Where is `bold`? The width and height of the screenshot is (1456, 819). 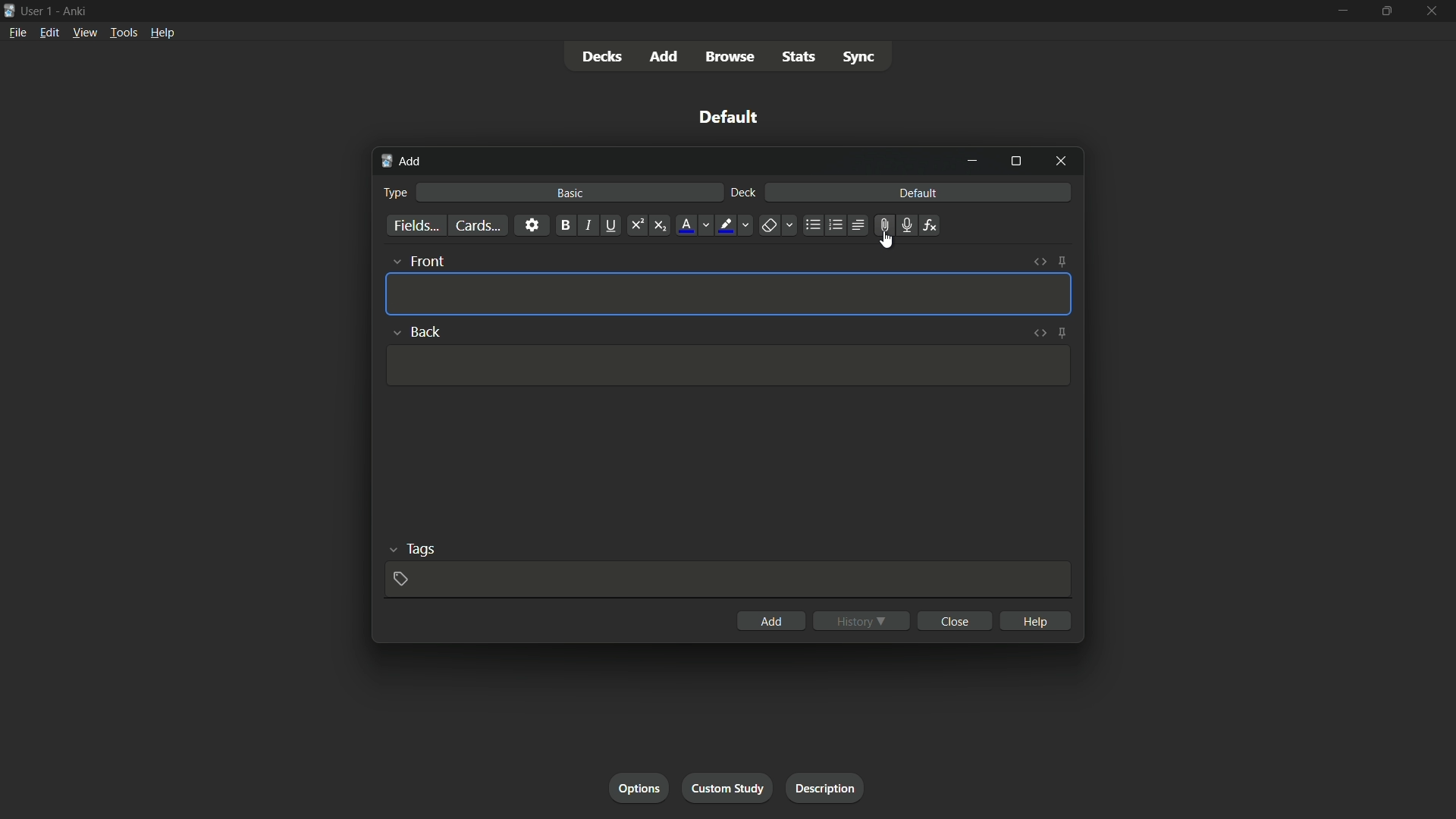 bold is located at coordinates (566, 225).